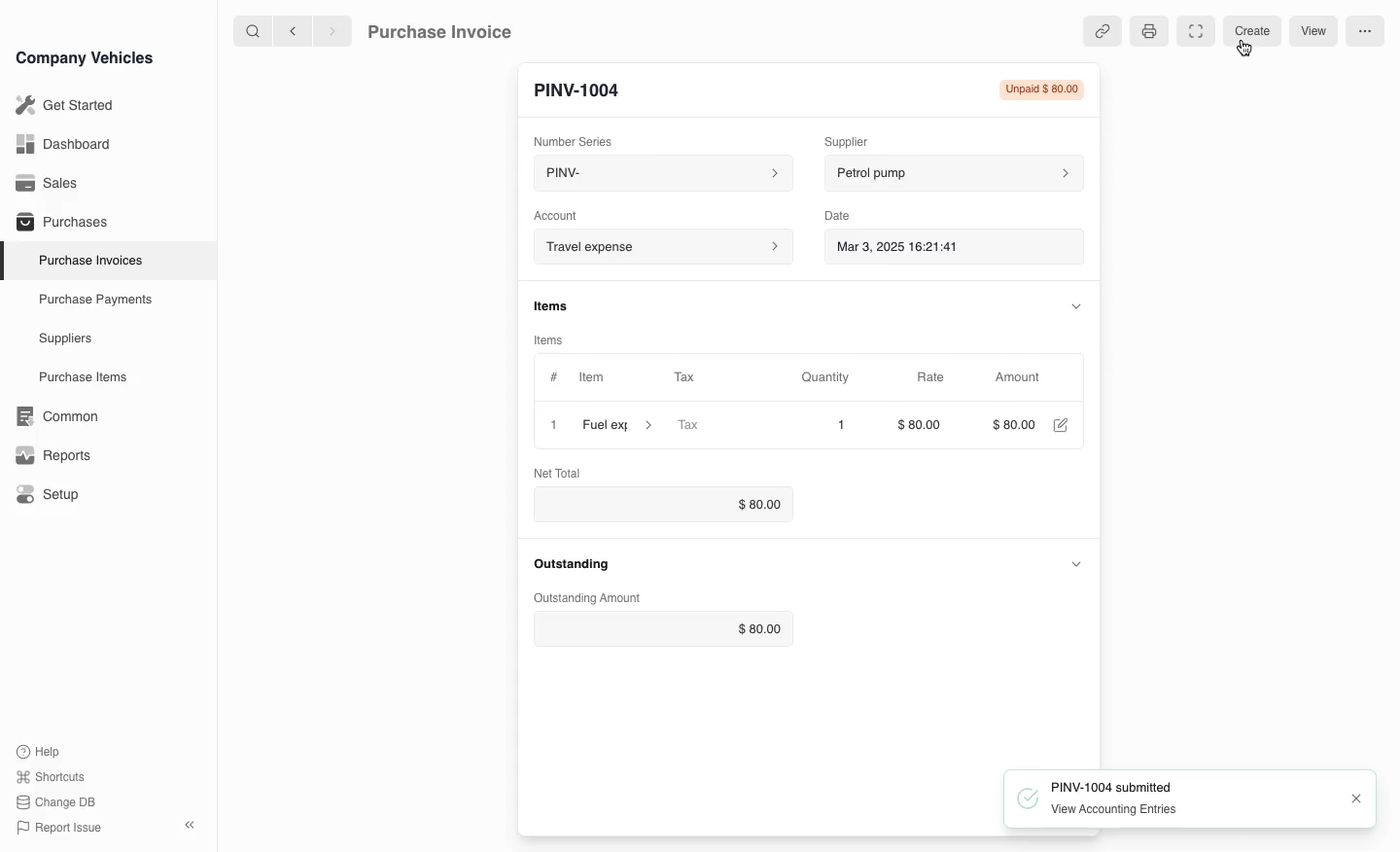 The width and height of the screenshot is (1400, 852). Describe the element at coordinates (932, 377) in the screenshot. I see `Rate` at that location.